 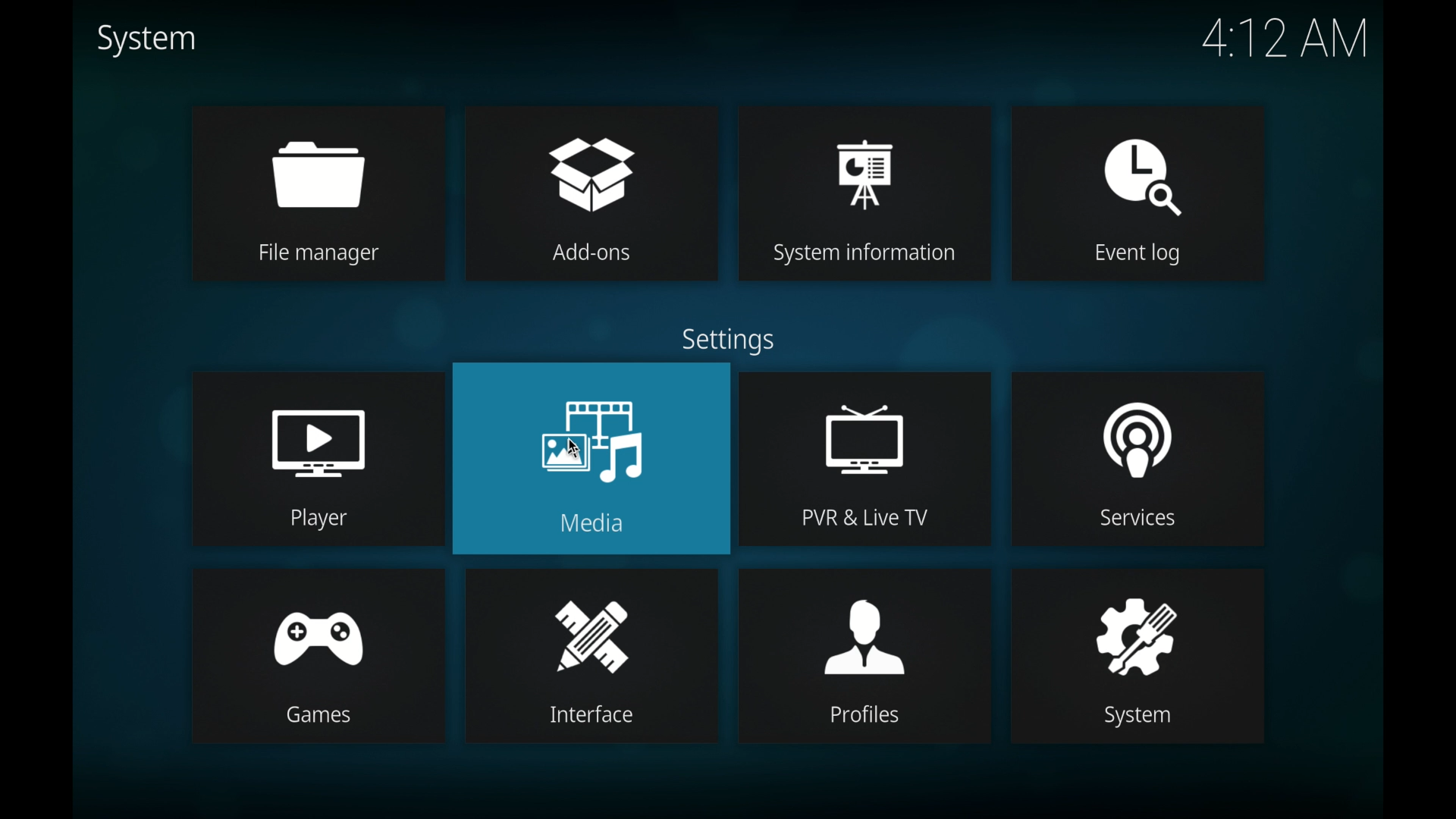 What do you see at coordinates (732, 340) in the screenshot?
I see `settings` at bounding box center [732, 340].